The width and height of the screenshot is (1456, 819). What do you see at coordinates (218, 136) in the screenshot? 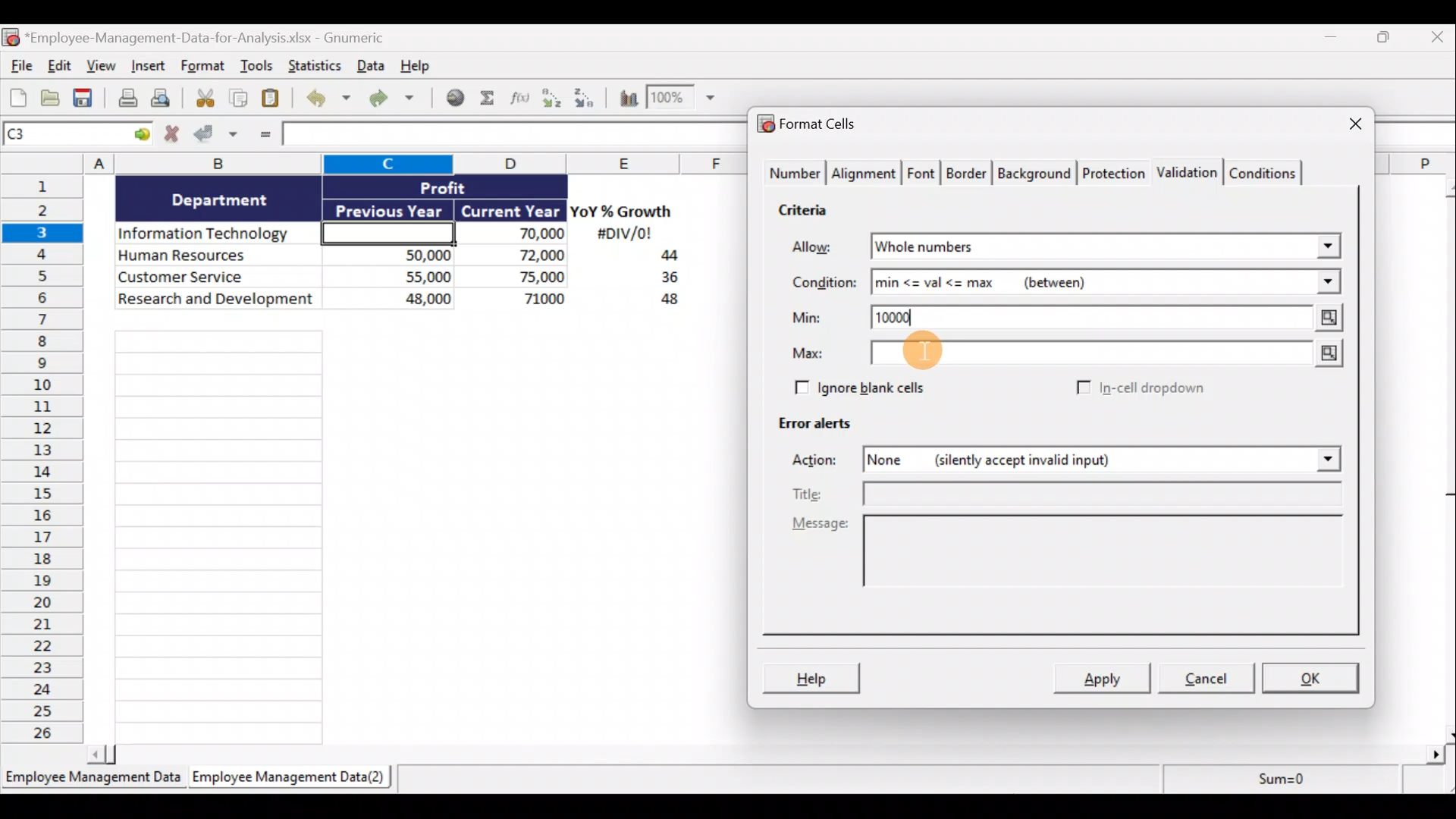
I see `Accept changes` at bounding box center [218, 136].